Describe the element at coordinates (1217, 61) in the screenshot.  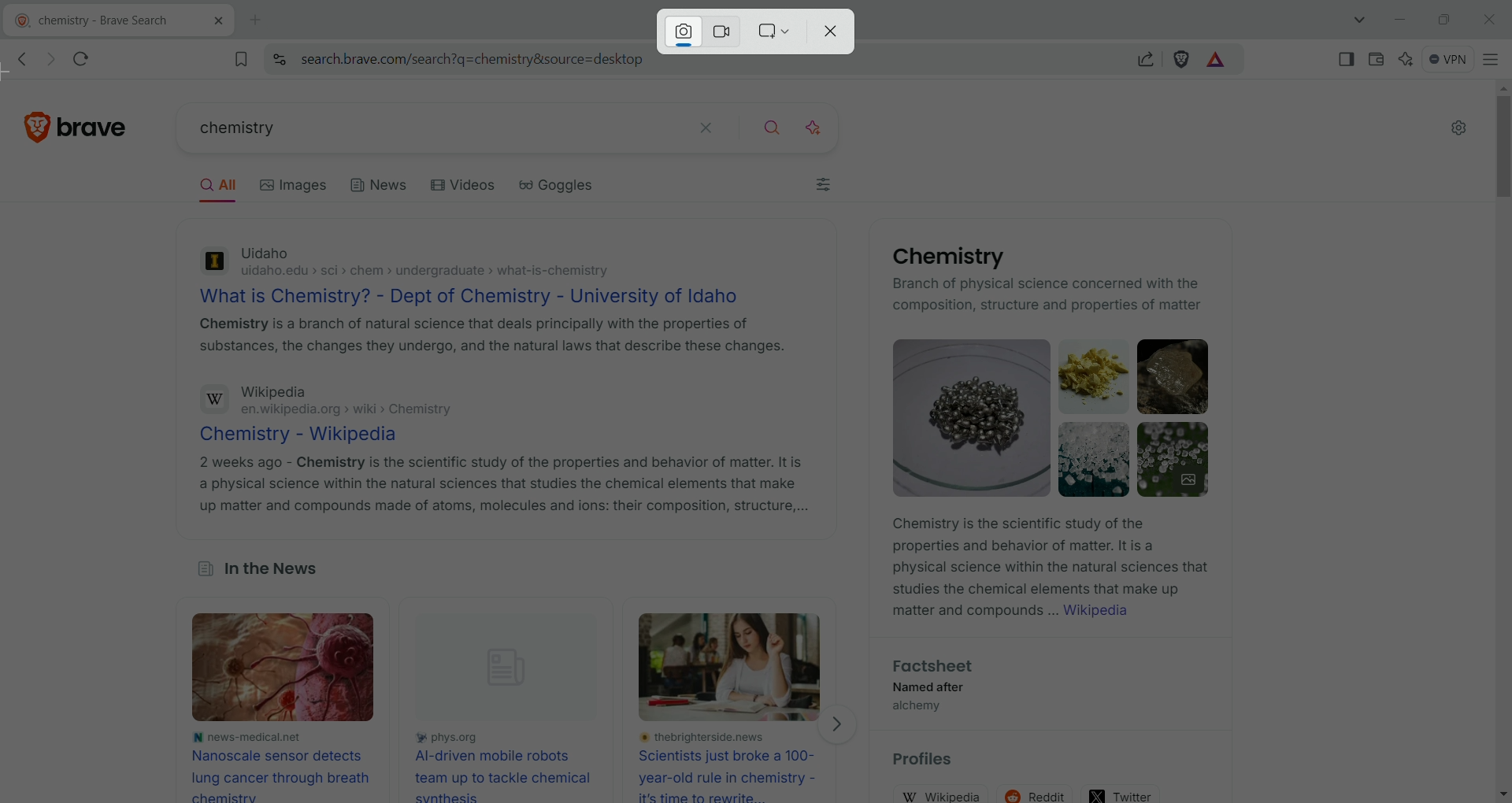
I see `brave rewards` at that location.